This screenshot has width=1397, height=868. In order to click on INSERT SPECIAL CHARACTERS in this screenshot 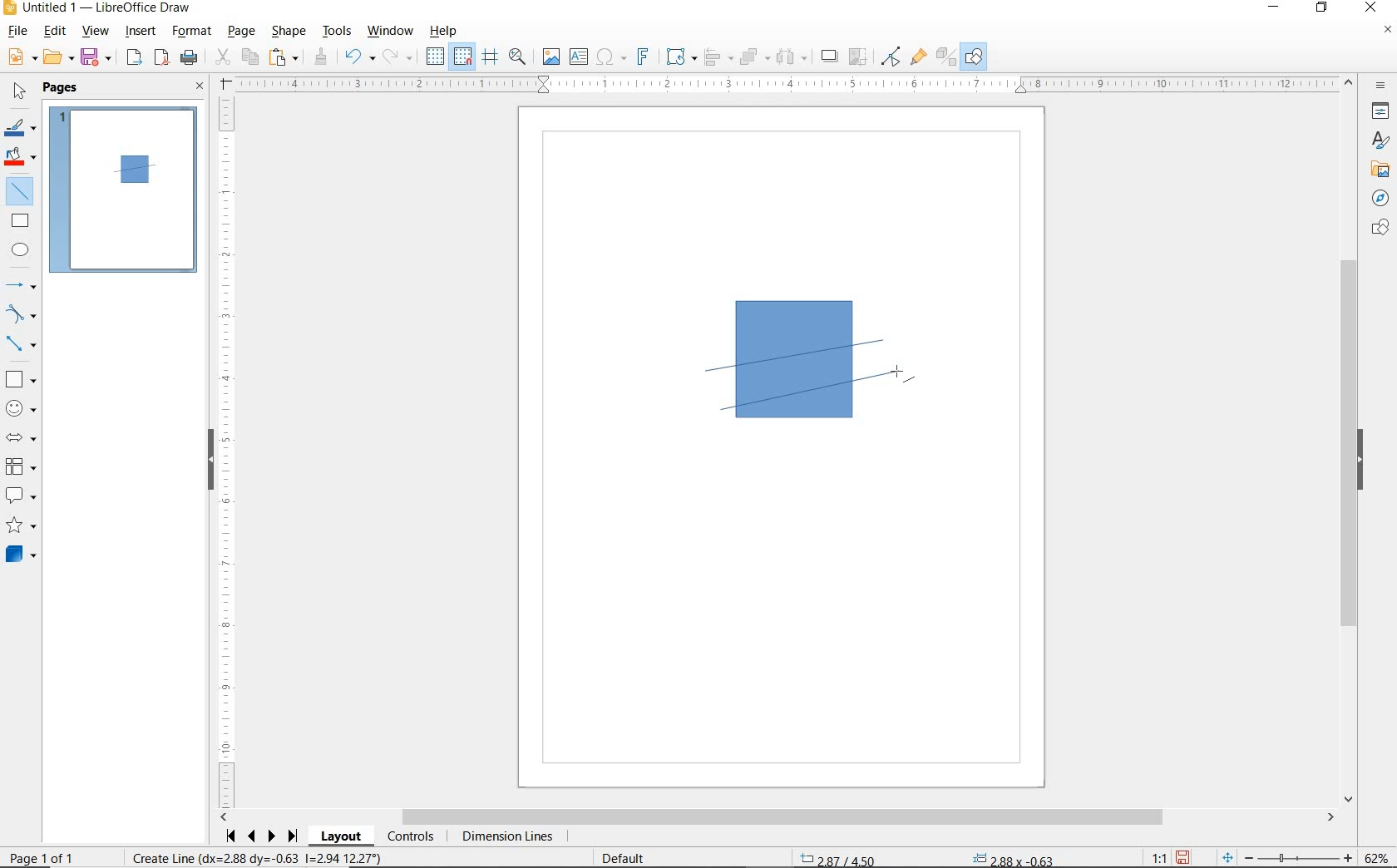, I will do `click(610, 57)`.